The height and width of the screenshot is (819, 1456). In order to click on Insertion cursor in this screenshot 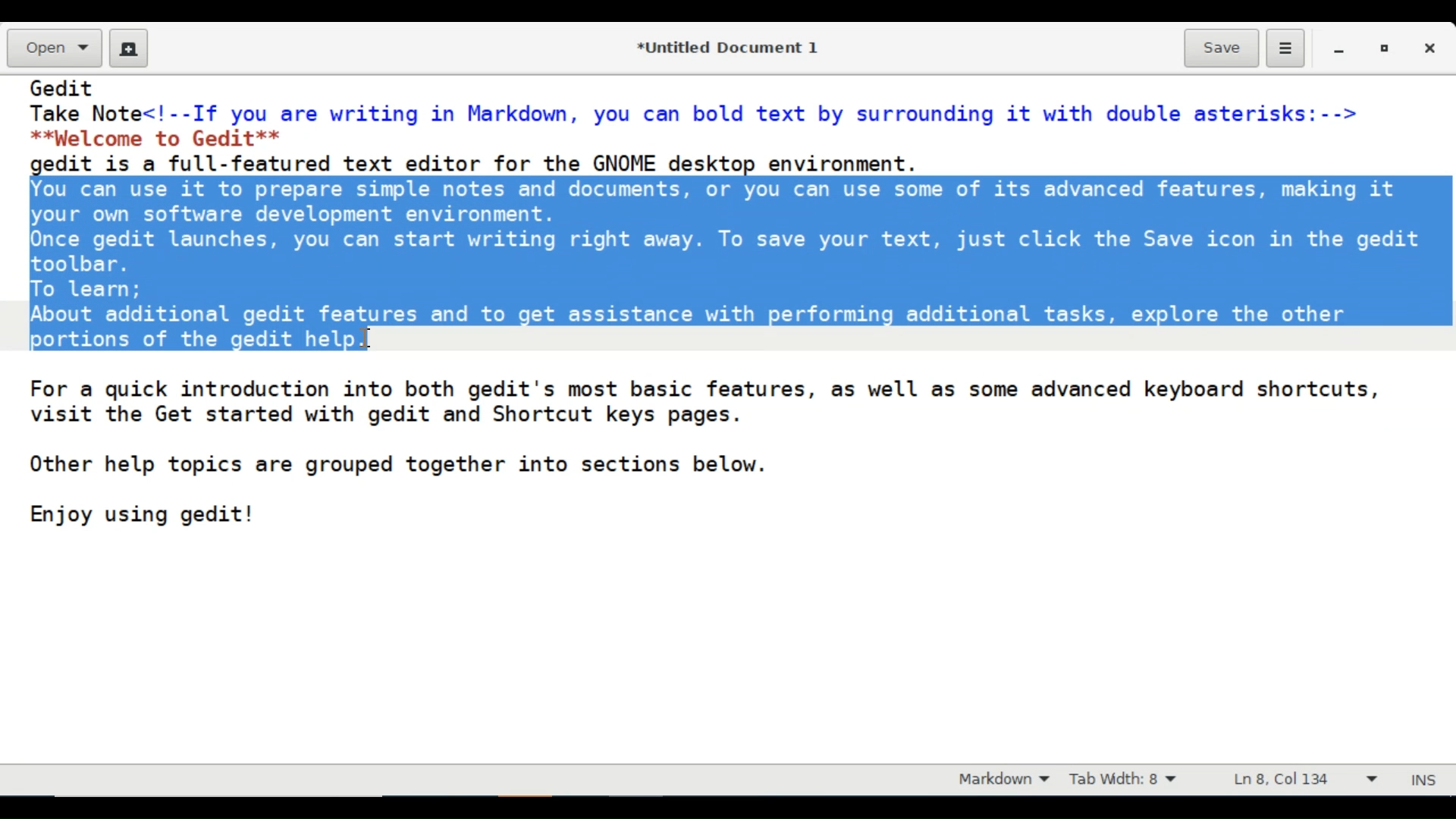, I will do `click(368, 336)`.